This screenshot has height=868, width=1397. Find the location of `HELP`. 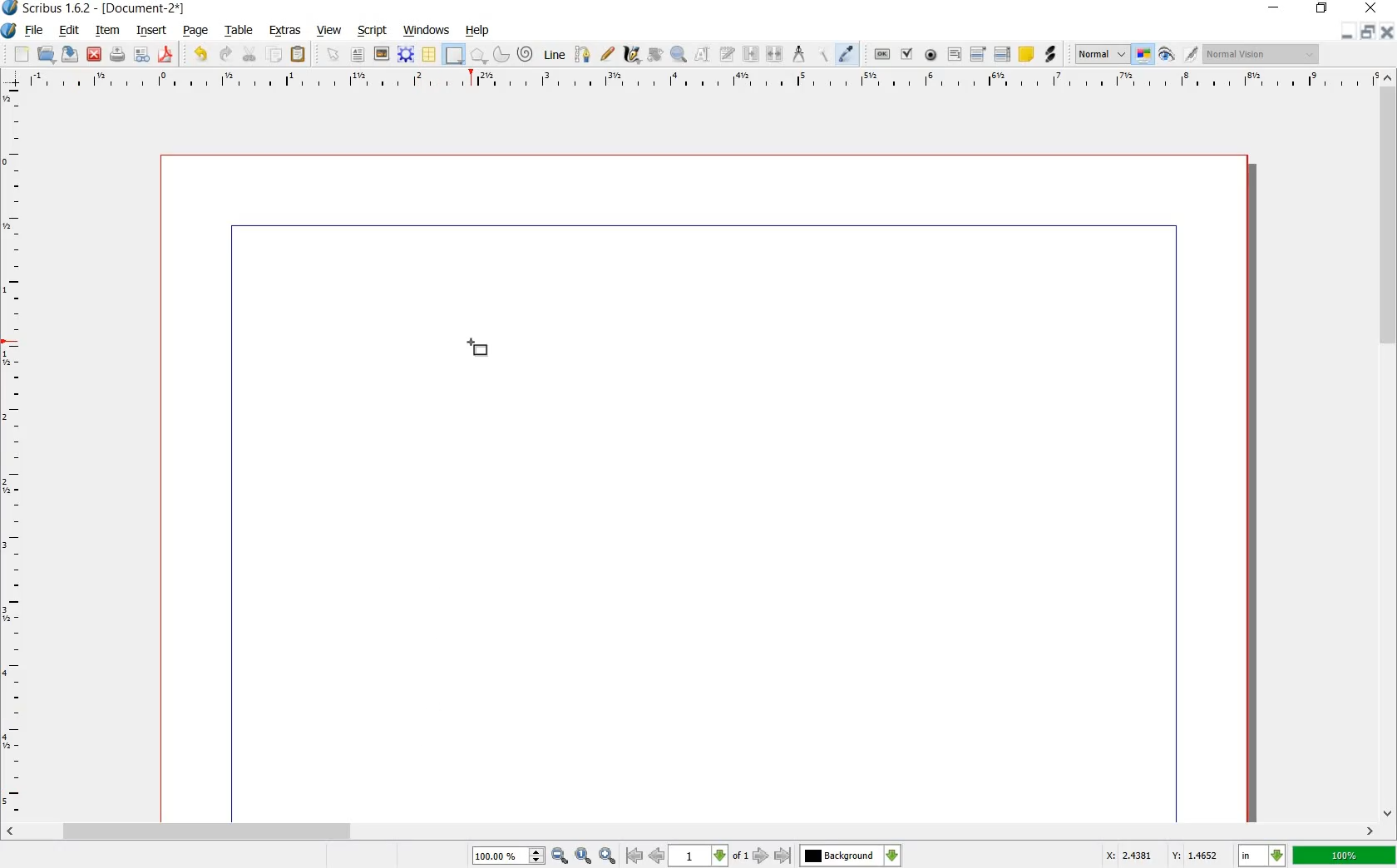

HELP is located at coordinates (477, 32).